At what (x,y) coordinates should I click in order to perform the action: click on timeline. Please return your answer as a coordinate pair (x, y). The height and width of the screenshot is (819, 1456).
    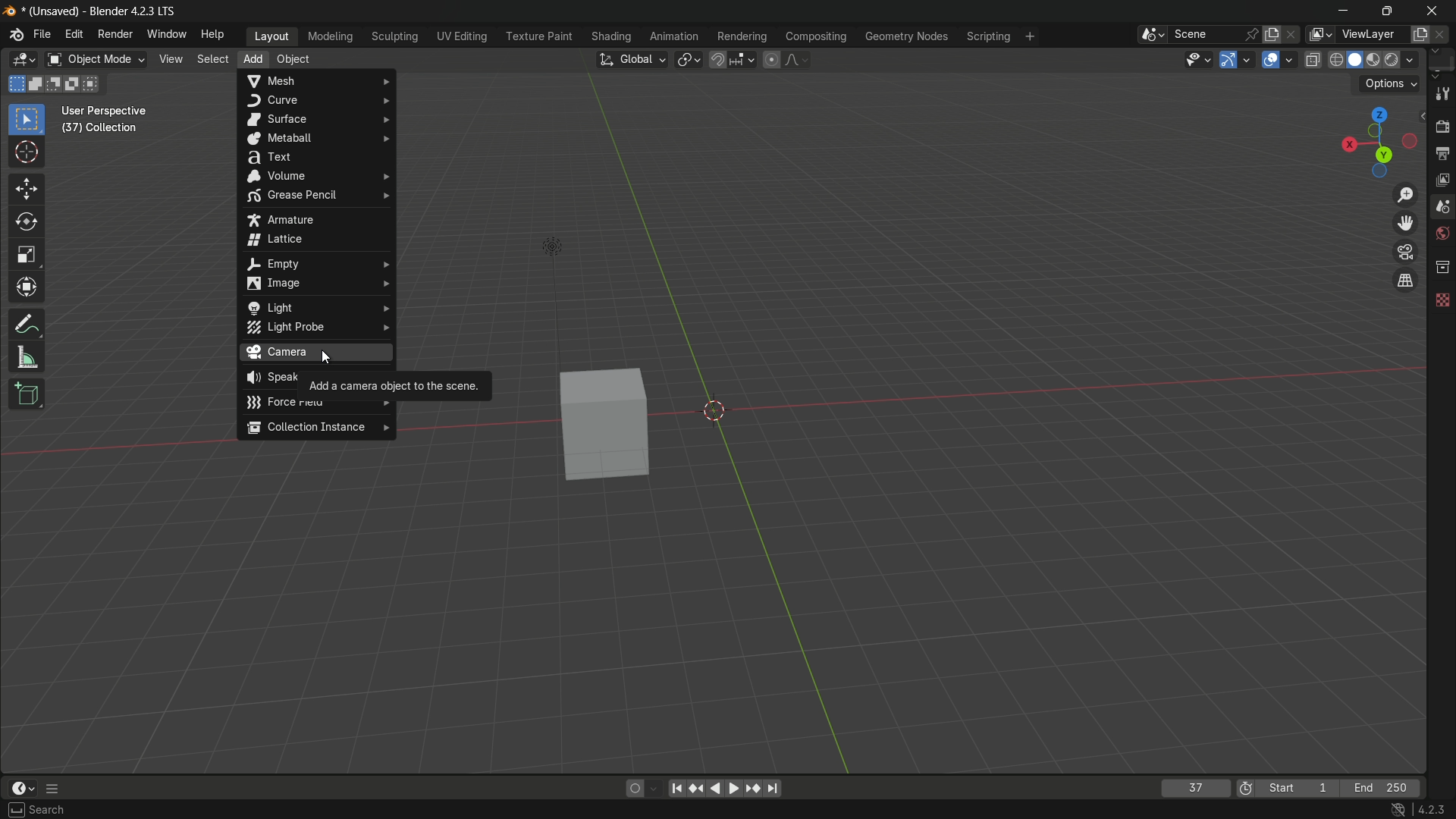
    Looking at the image, I should click on (25, 788).